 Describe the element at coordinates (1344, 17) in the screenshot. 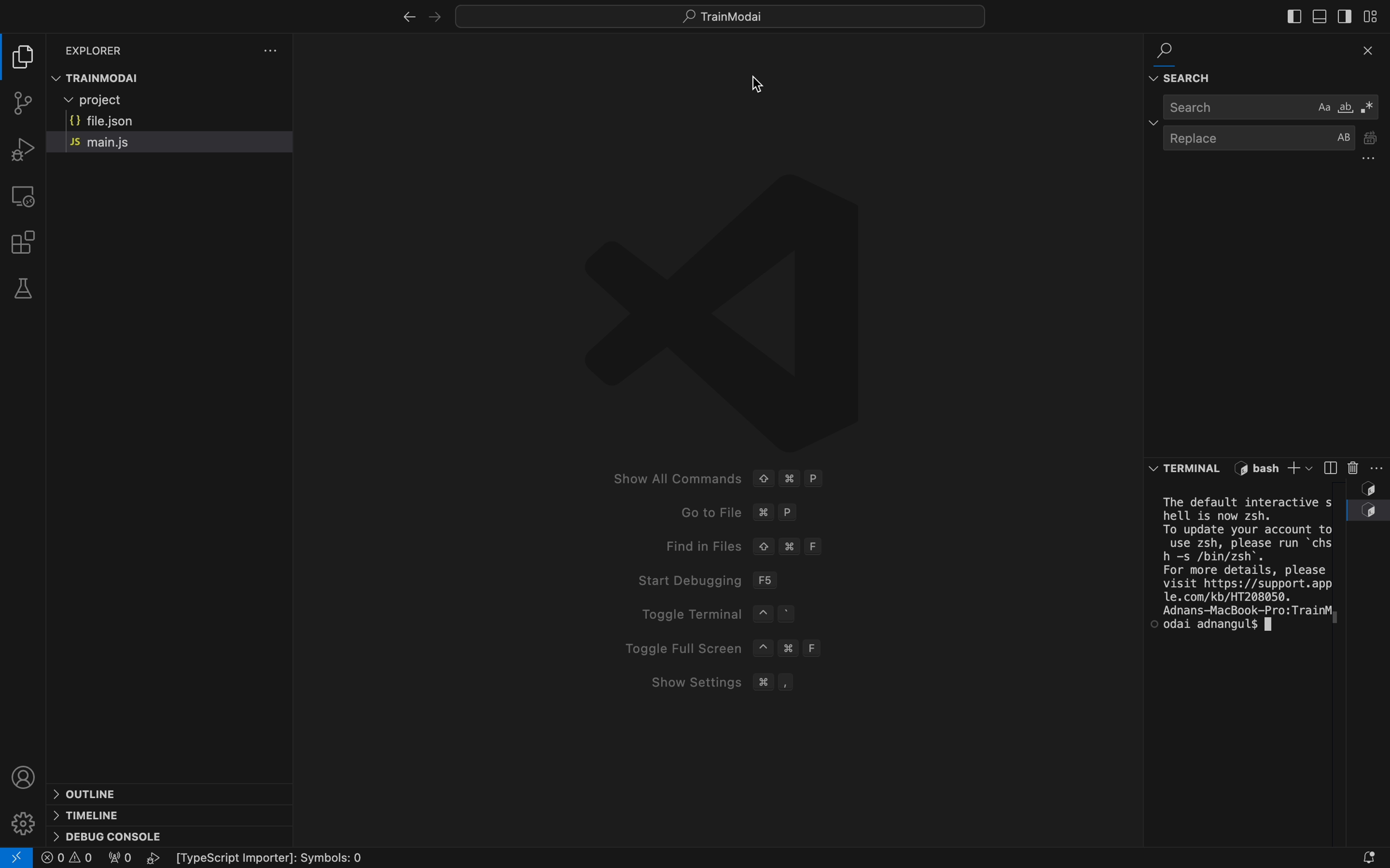

I see `sidebar on right` at that location.